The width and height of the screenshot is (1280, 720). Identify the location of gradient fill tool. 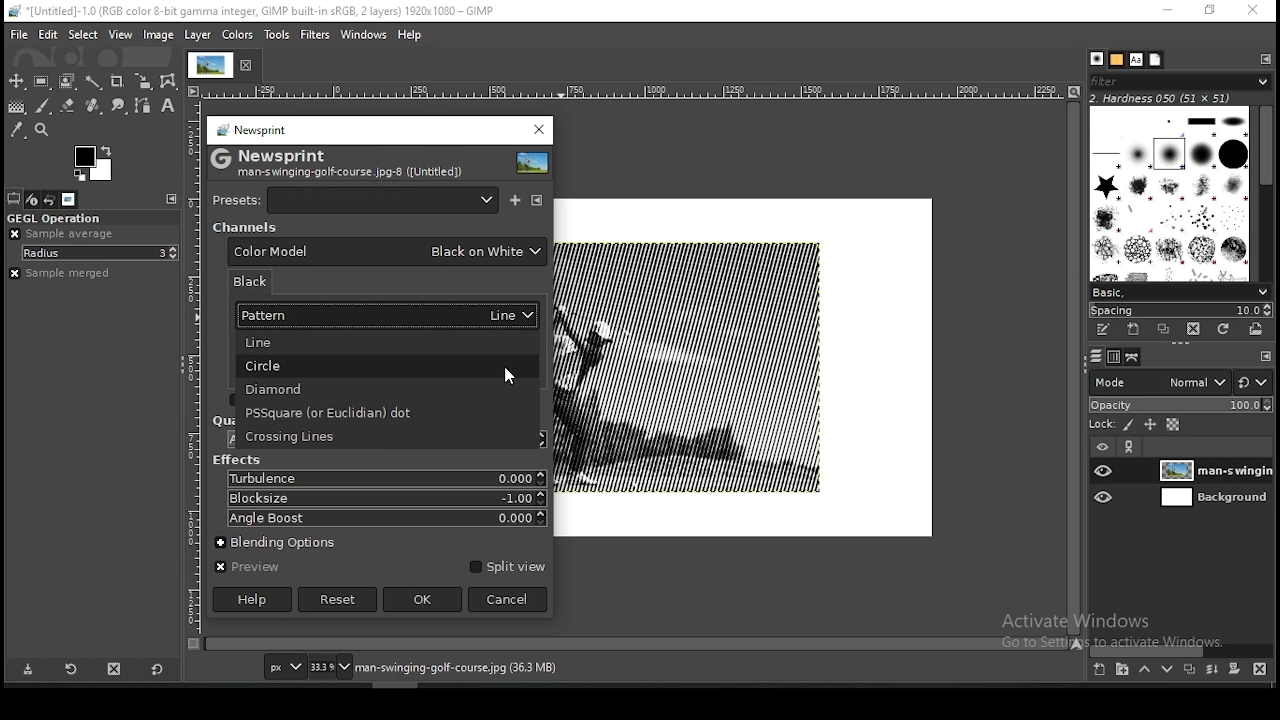
(18, 107).